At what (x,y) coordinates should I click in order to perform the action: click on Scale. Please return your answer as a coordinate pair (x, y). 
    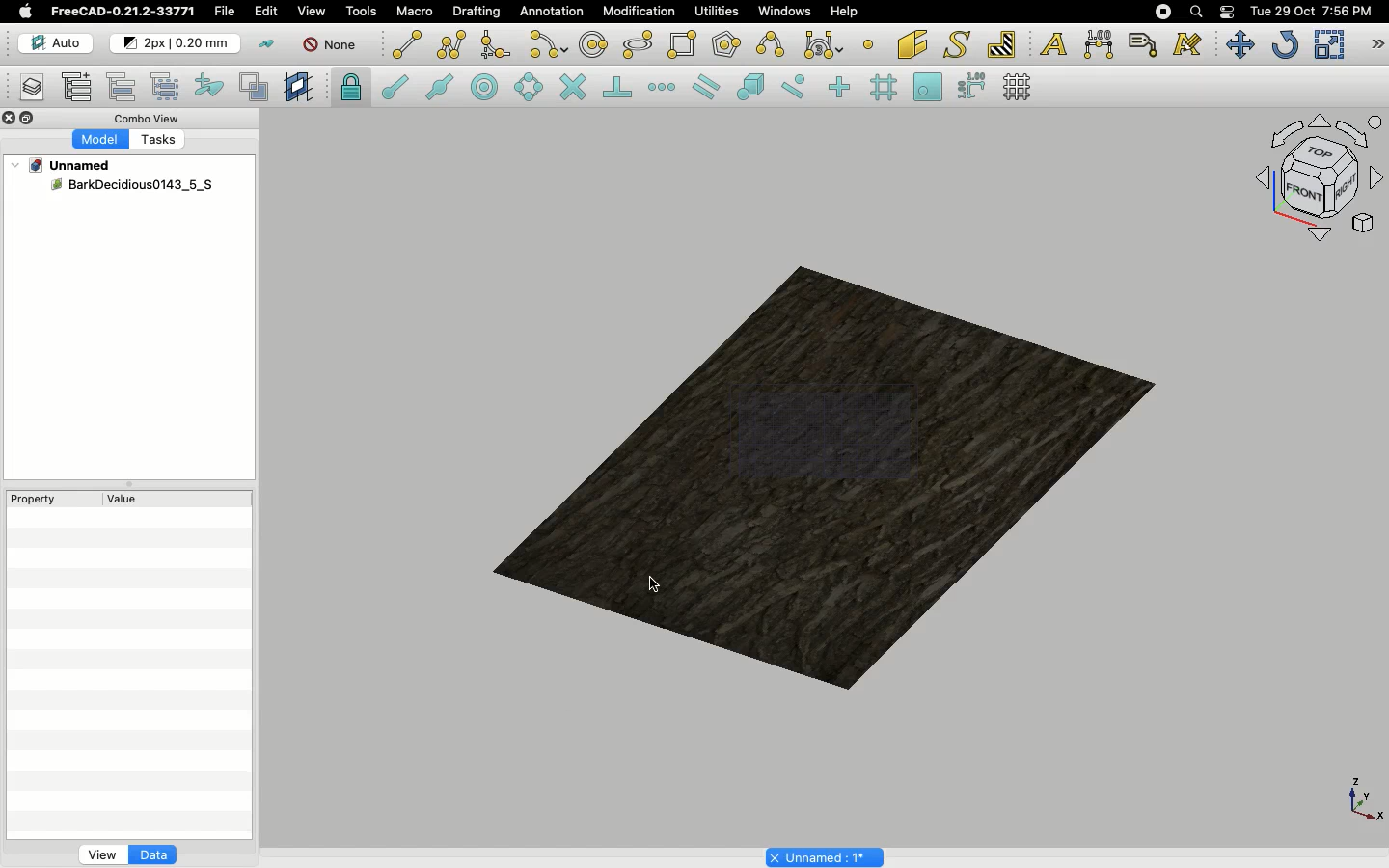
    Looking at the image, I should click on (1328, 44).